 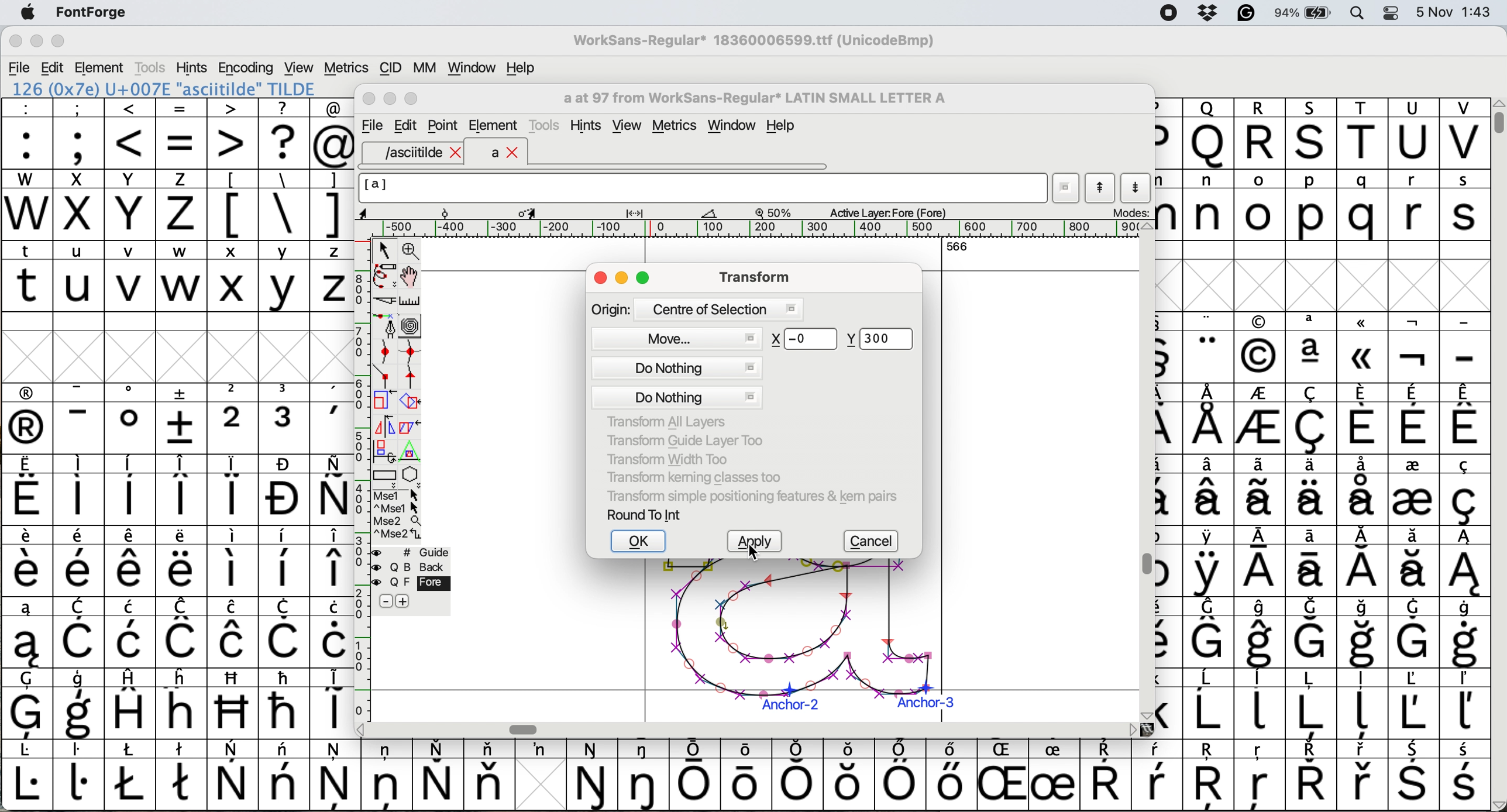 I want to click on , so click(x=1211, y=776).